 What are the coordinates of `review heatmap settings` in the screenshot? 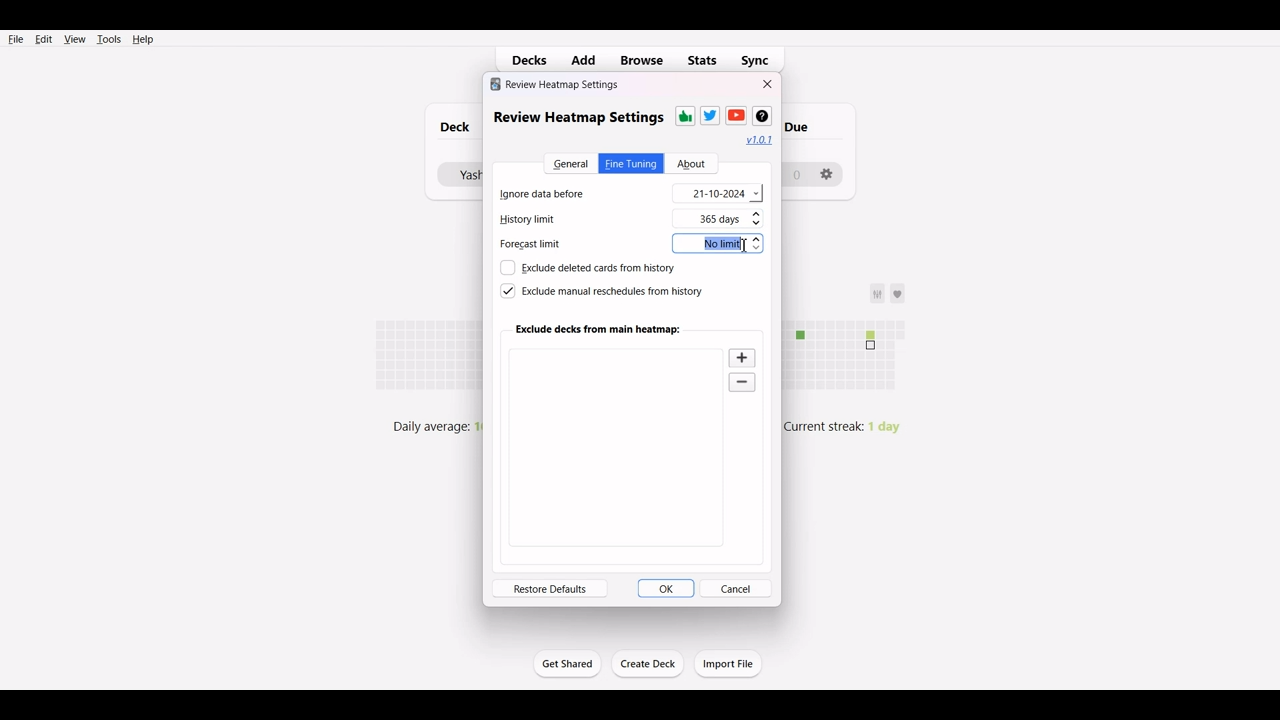 It's located at (555, 84).